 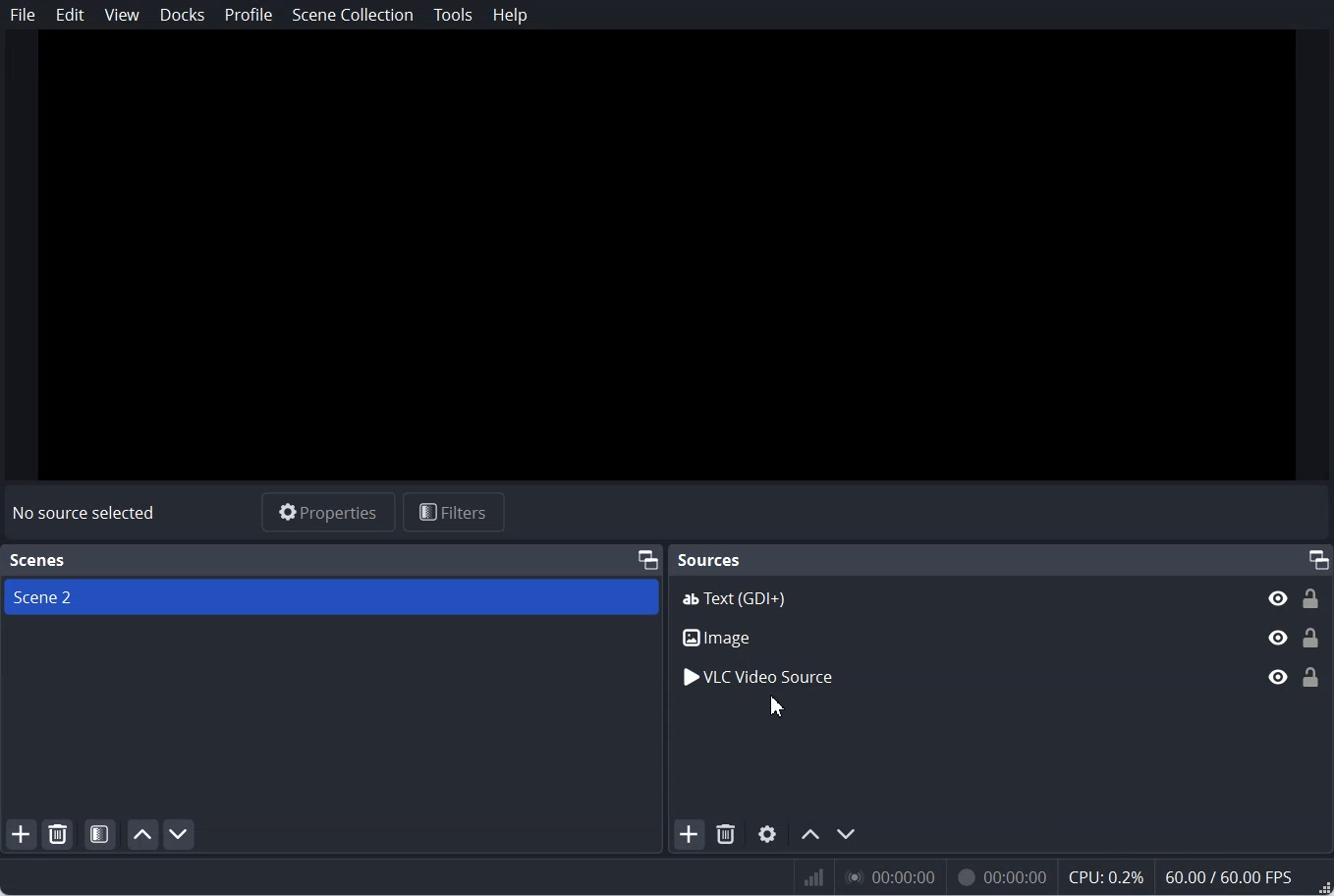 What do you see at coordinates (778, 707) in the screenshot?
I see `Cursor` at bounding box center [778, 707].